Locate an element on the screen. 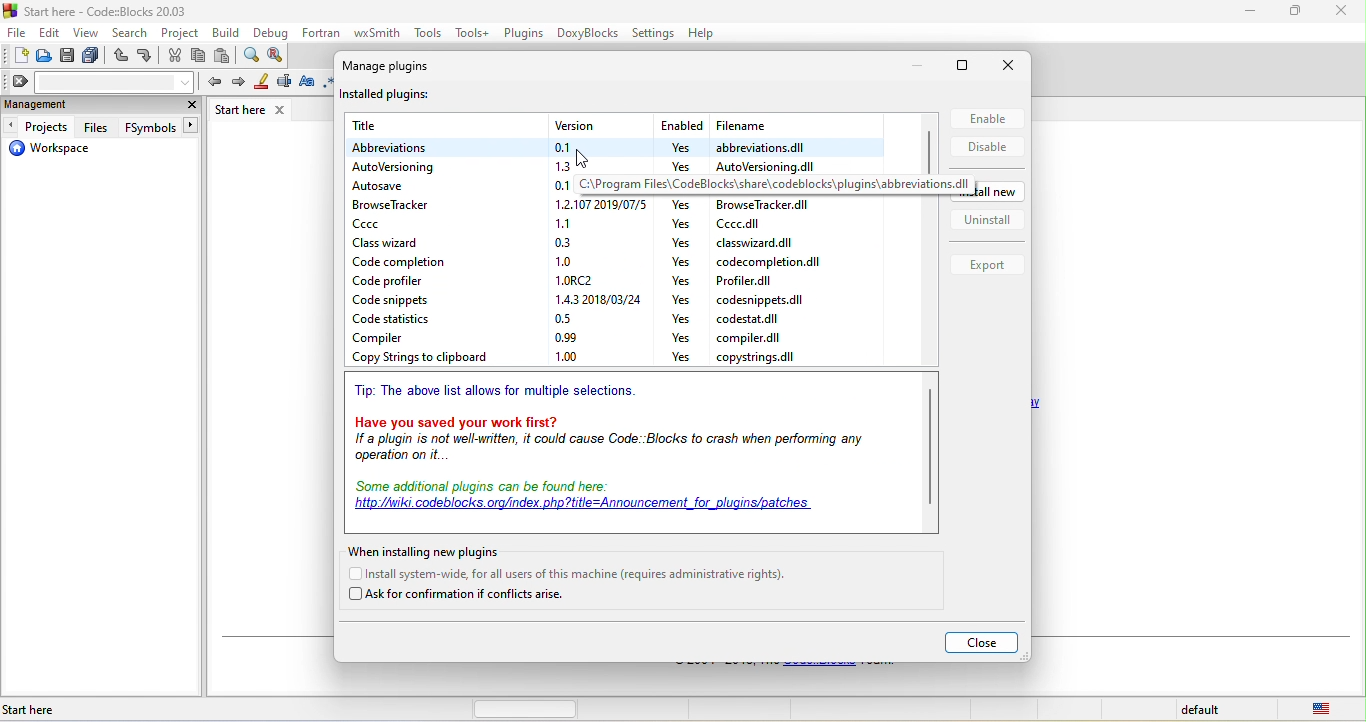 Image resolution: width=1366 pixels, height=722 pixels. close is located at coordinates (984, 641).